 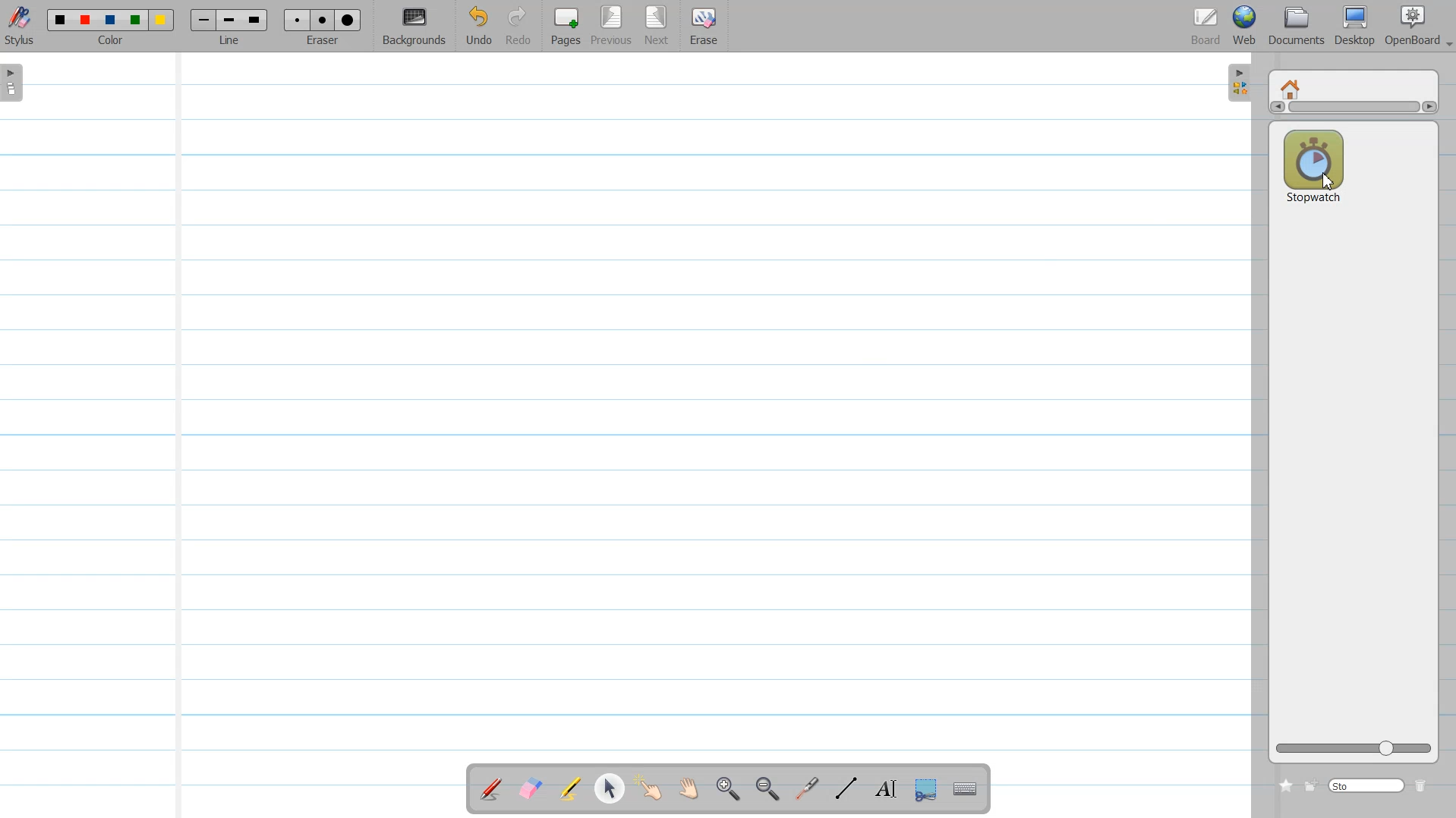 I want to click on Document, so click(x=1297, y=26).